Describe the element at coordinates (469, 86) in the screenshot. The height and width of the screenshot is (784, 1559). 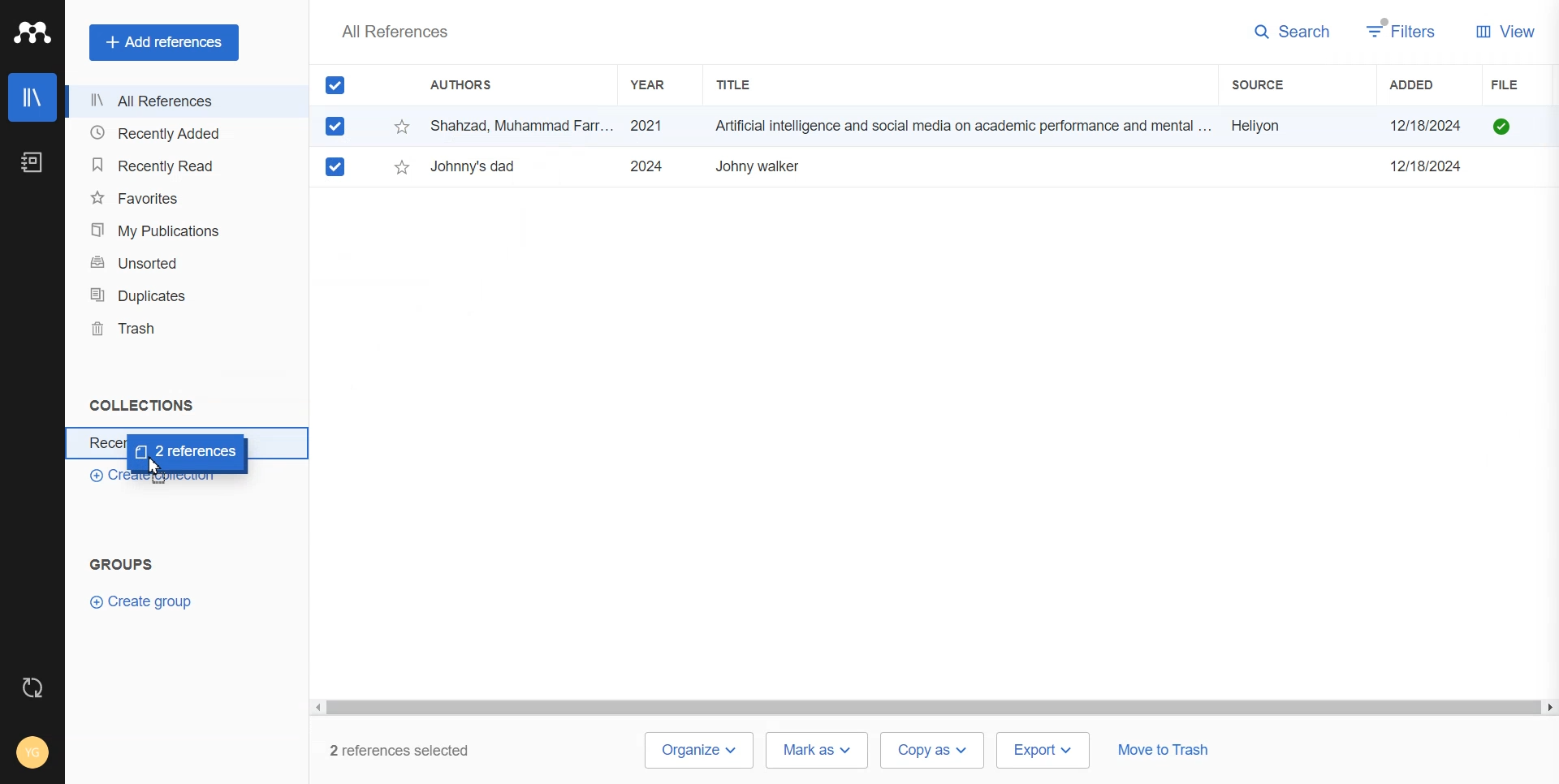
I see `Authors` at that location.